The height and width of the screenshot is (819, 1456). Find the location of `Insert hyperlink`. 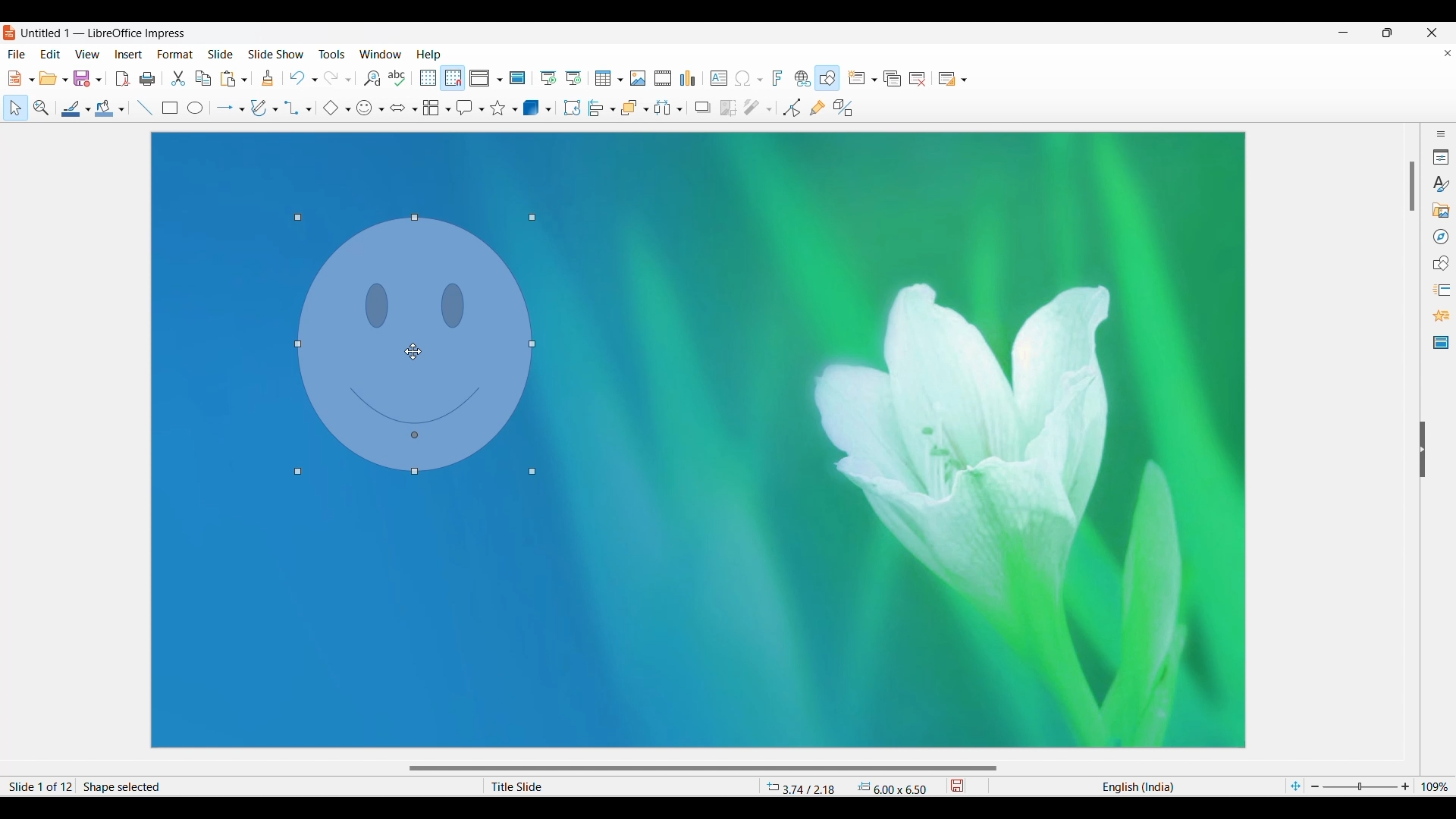

Insert hyperlink is located at coordinates (803, 78).